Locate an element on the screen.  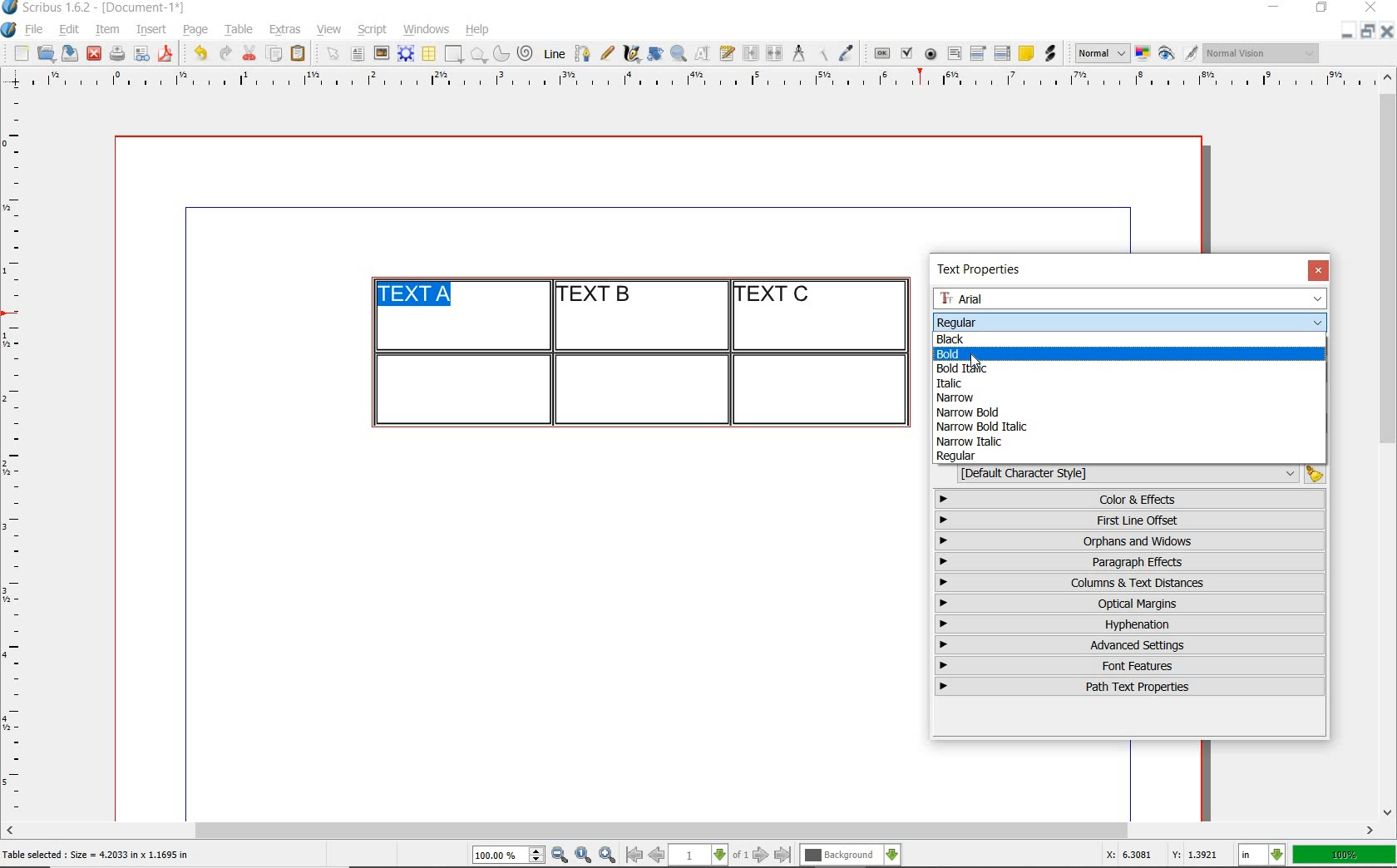
view is located at coordinates (329, 29).